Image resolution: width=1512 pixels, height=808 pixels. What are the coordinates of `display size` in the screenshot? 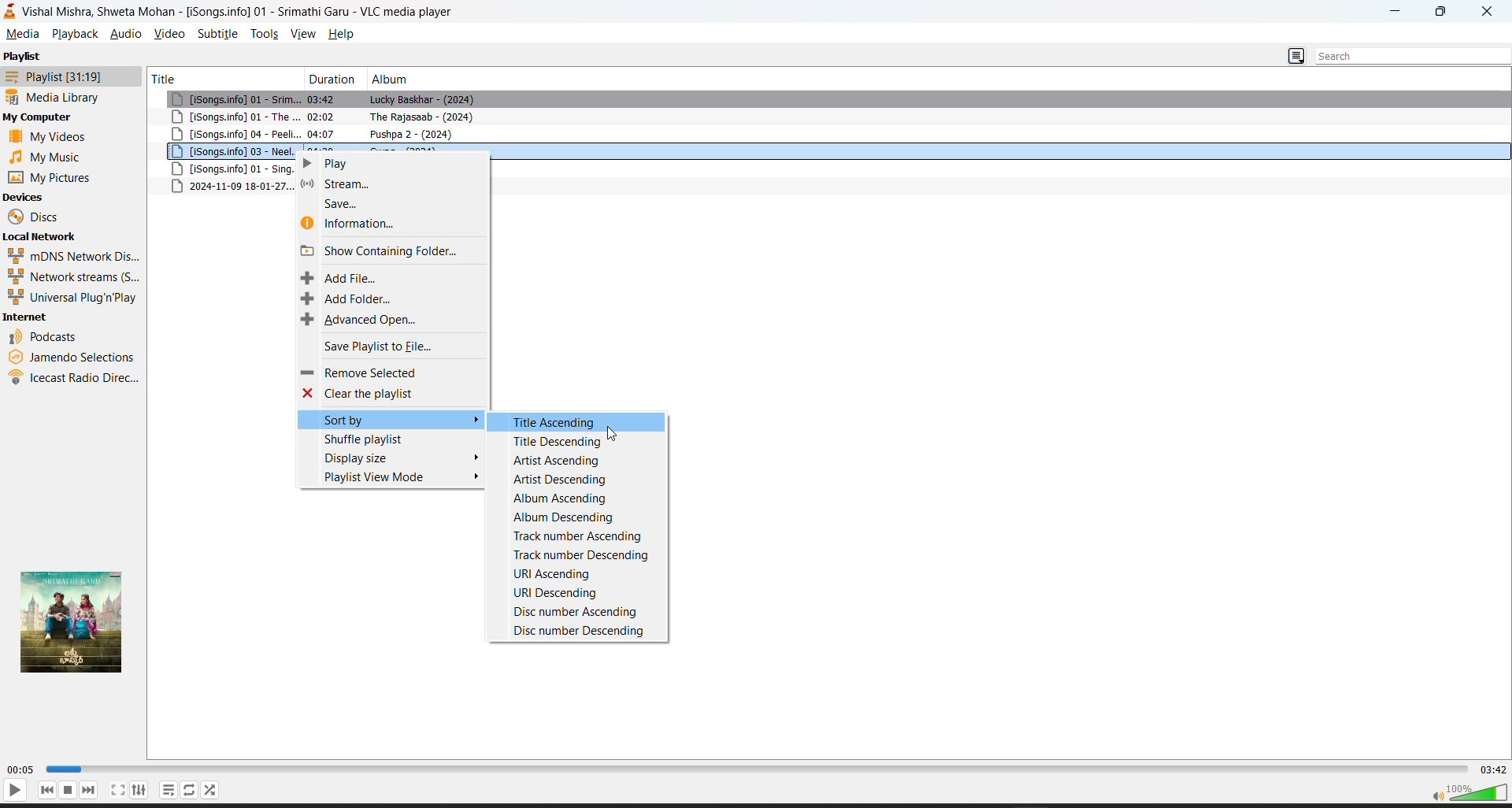 It's located at (390, 458).